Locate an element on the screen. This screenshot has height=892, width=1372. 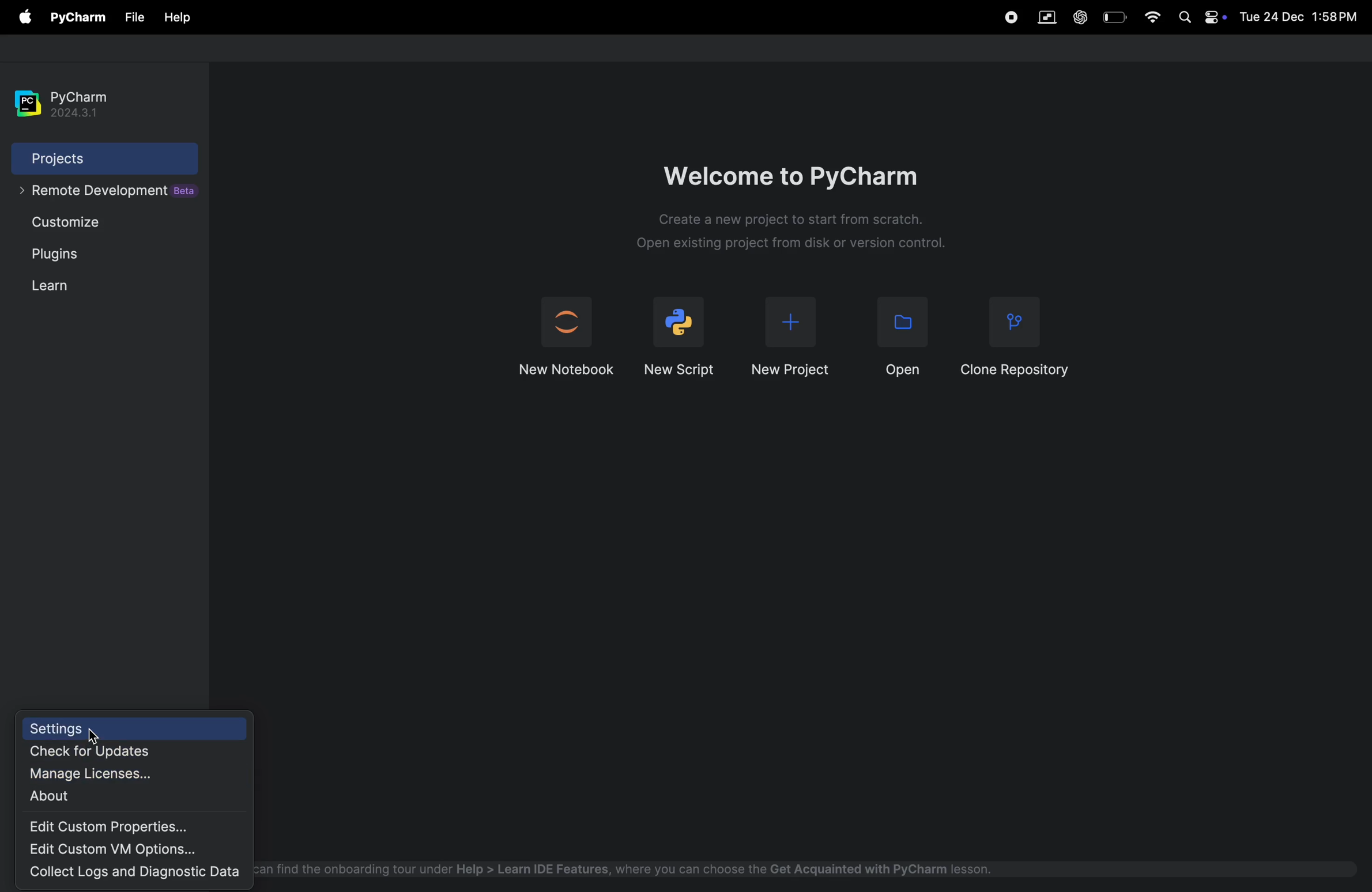
Customize is located at coordinates (74, 225).